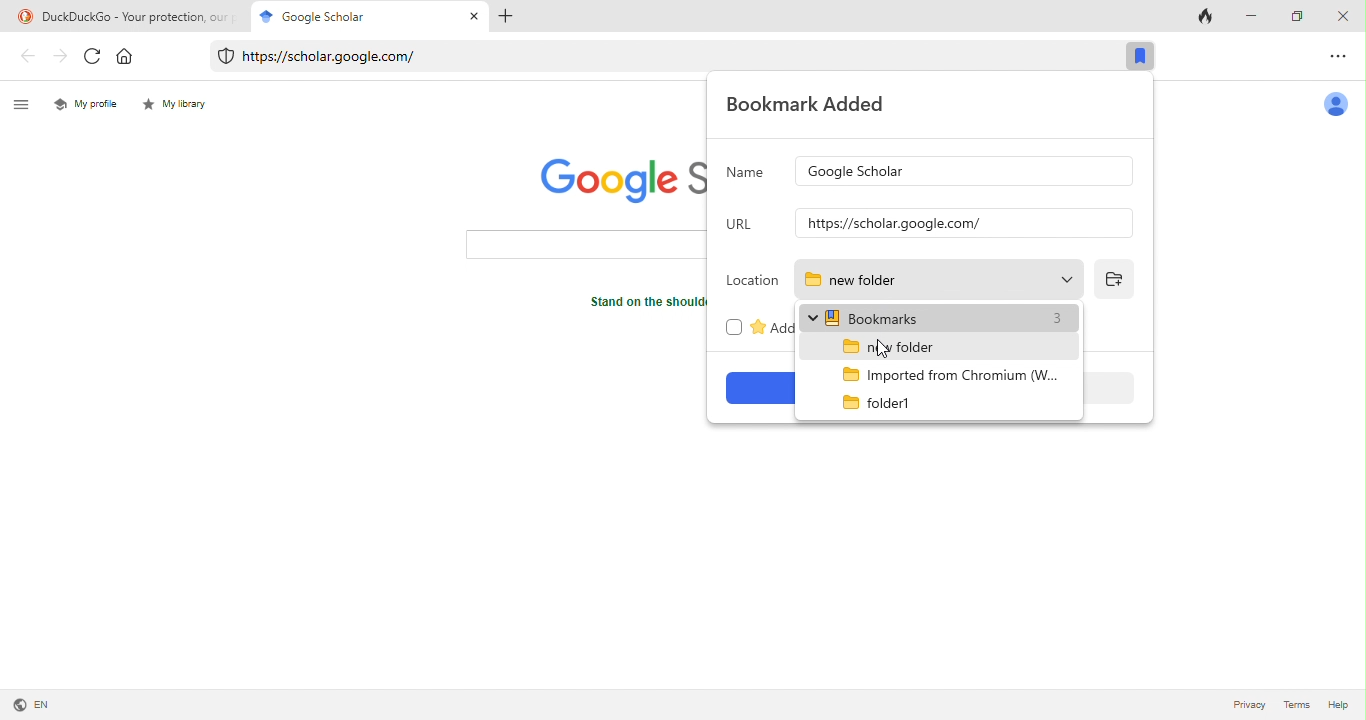  Describe the element at coordinates (941, 317) in the screenshot. I see `bookmarks` at that location.